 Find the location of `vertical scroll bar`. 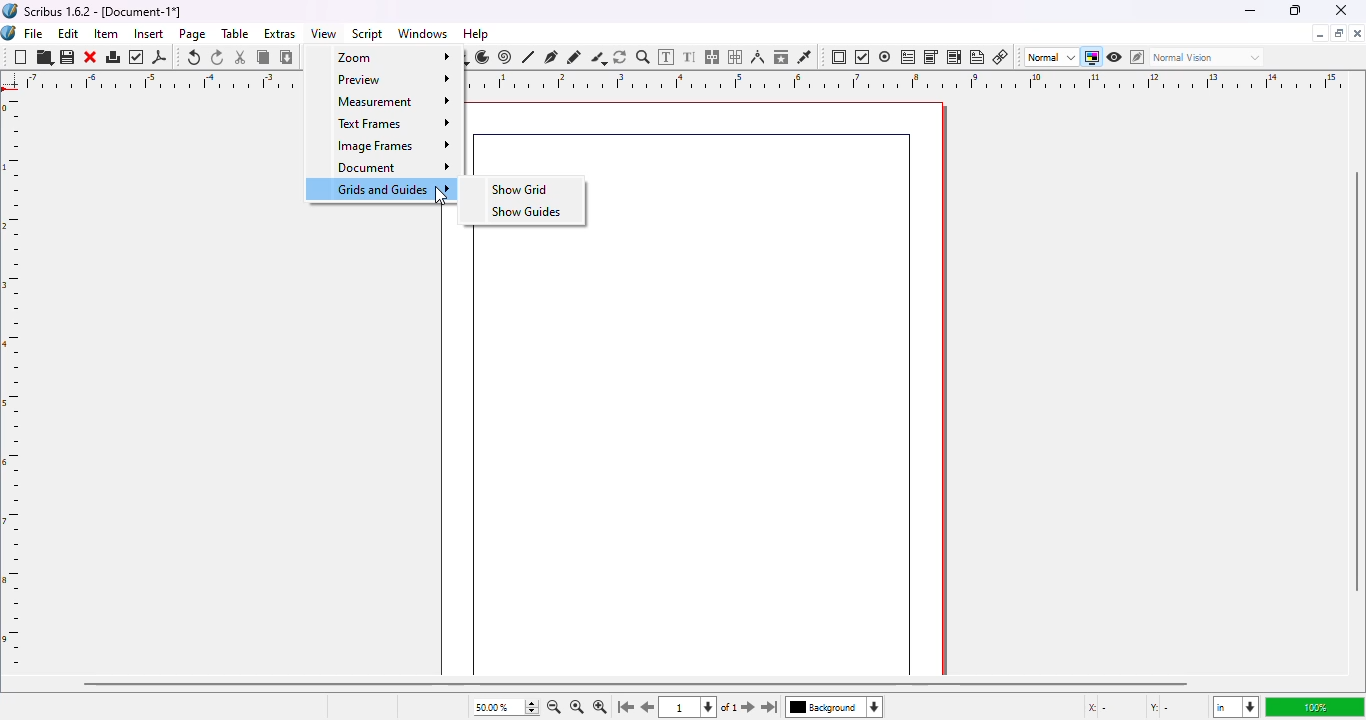

vertical scroll bar is located at coordinates (1357, 383).